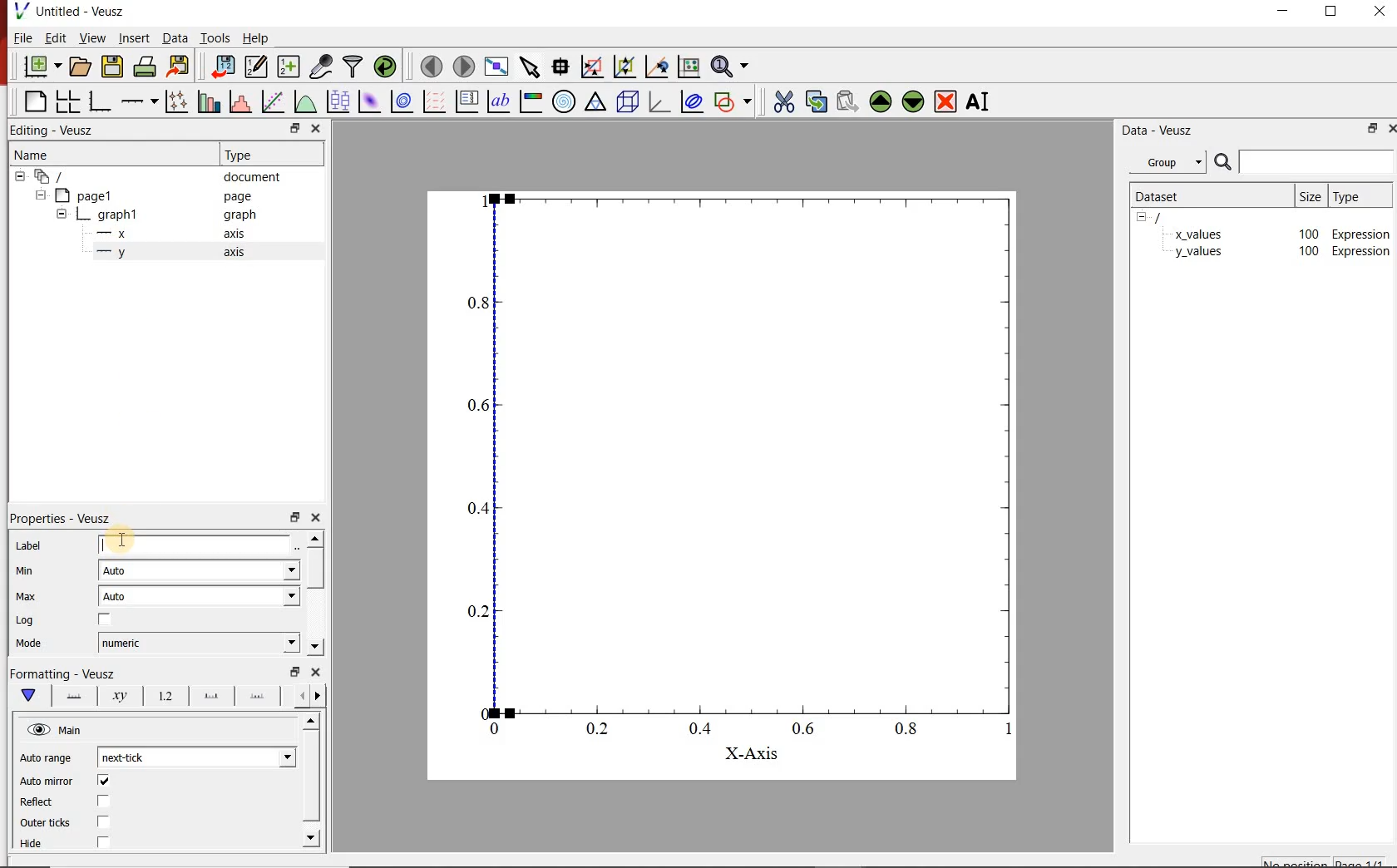  Describe the element at coordinates (217, 37) in the screenshot. I see `tools` at that location.